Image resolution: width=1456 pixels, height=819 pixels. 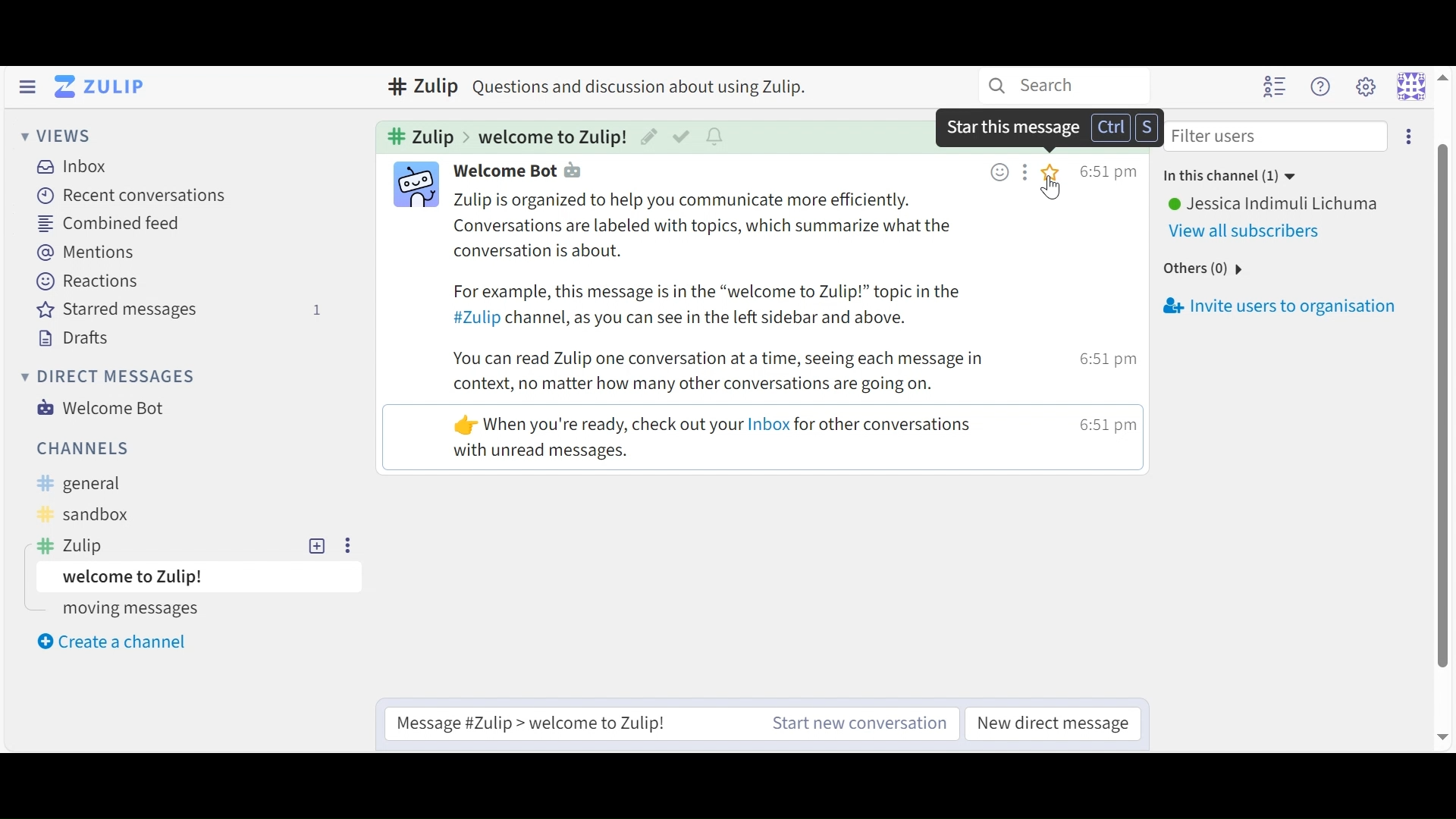 What do you see at coordinates (67, 336) in the screenshot?
I see `Drafts` at bounding box center [67, 336].